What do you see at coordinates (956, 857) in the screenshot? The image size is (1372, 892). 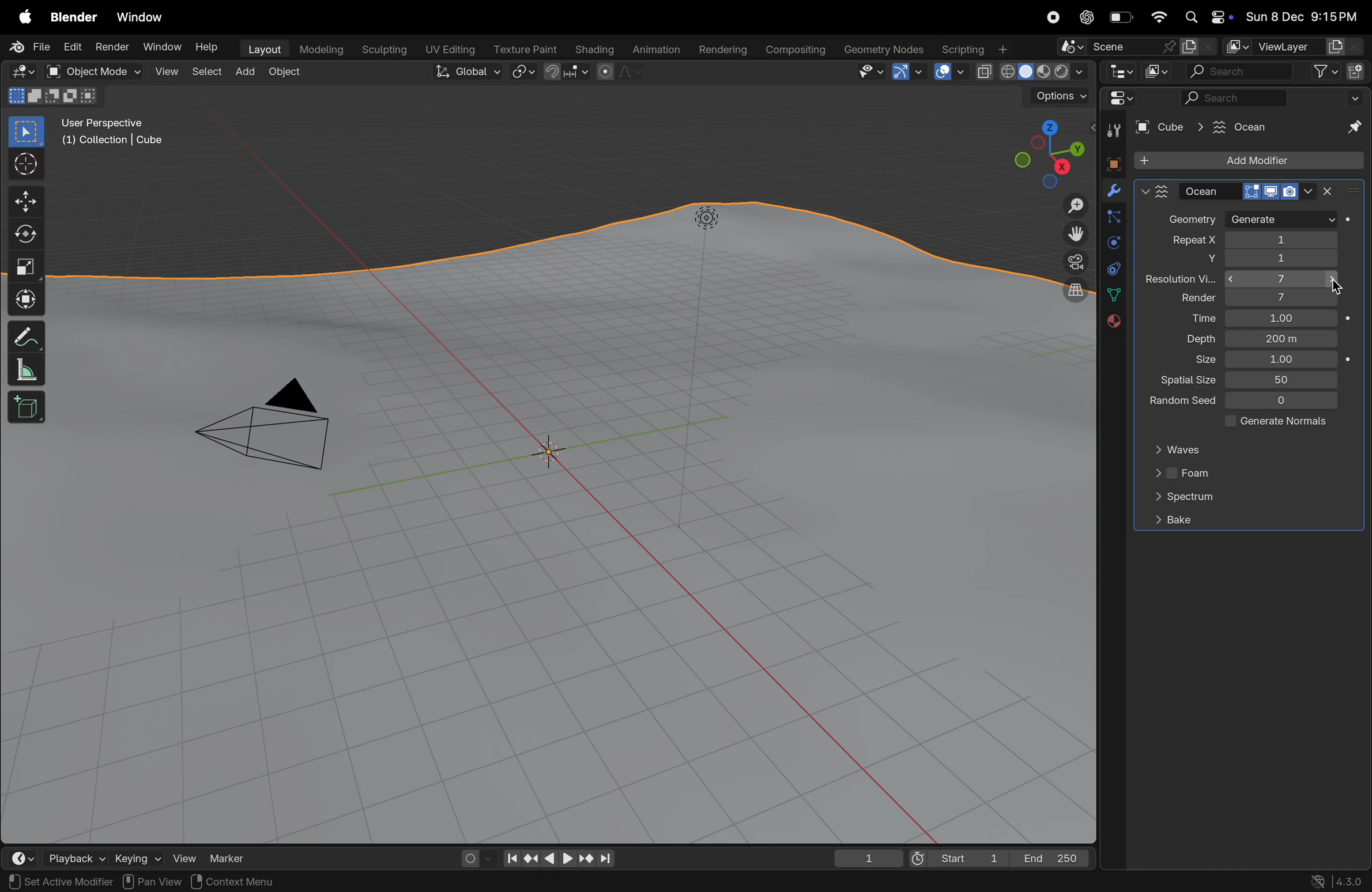 I see `Start 1` at bounding box center [956, 857].